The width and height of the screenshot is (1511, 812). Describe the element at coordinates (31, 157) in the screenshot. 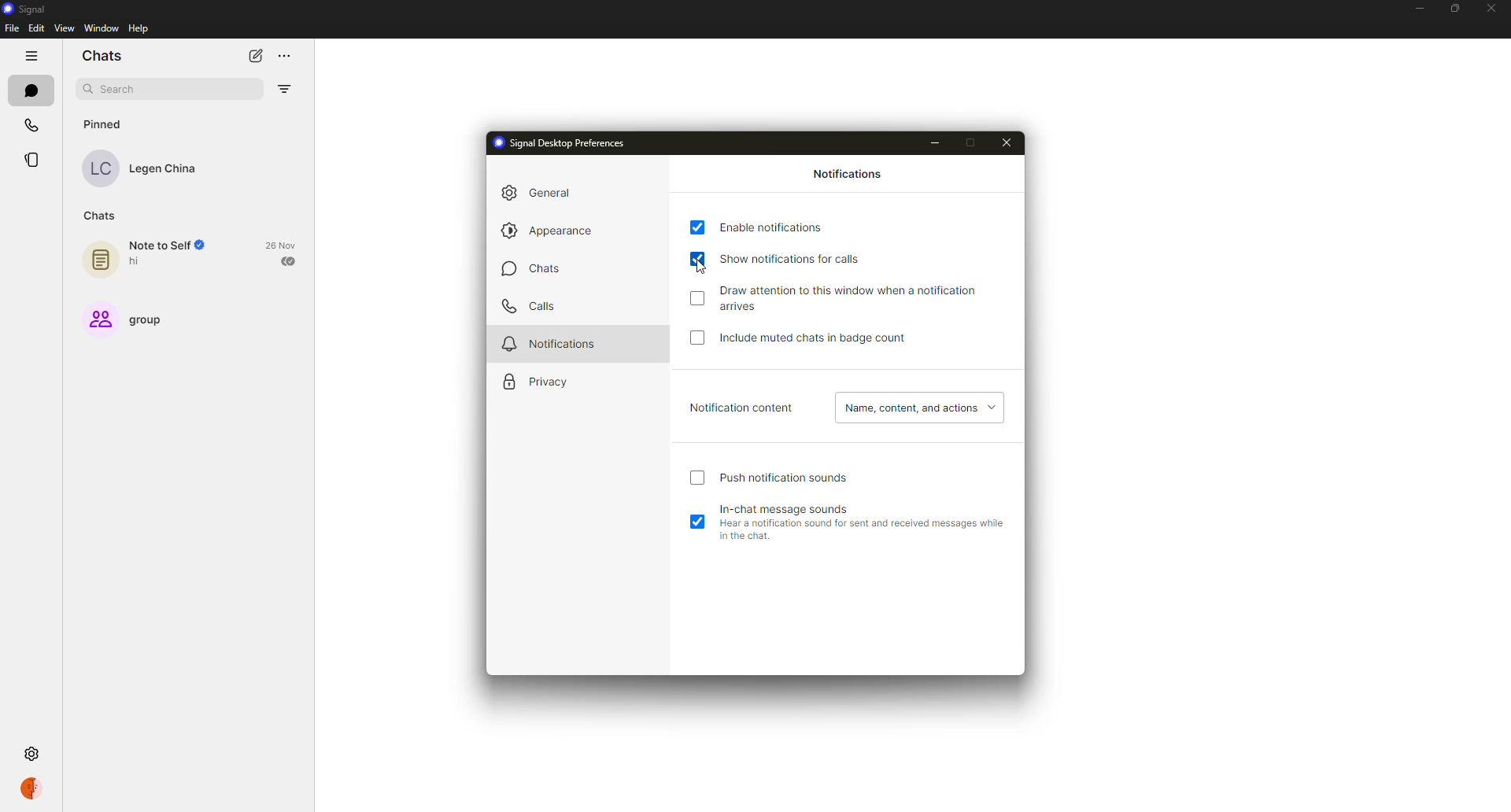

I see `stories` at that location.